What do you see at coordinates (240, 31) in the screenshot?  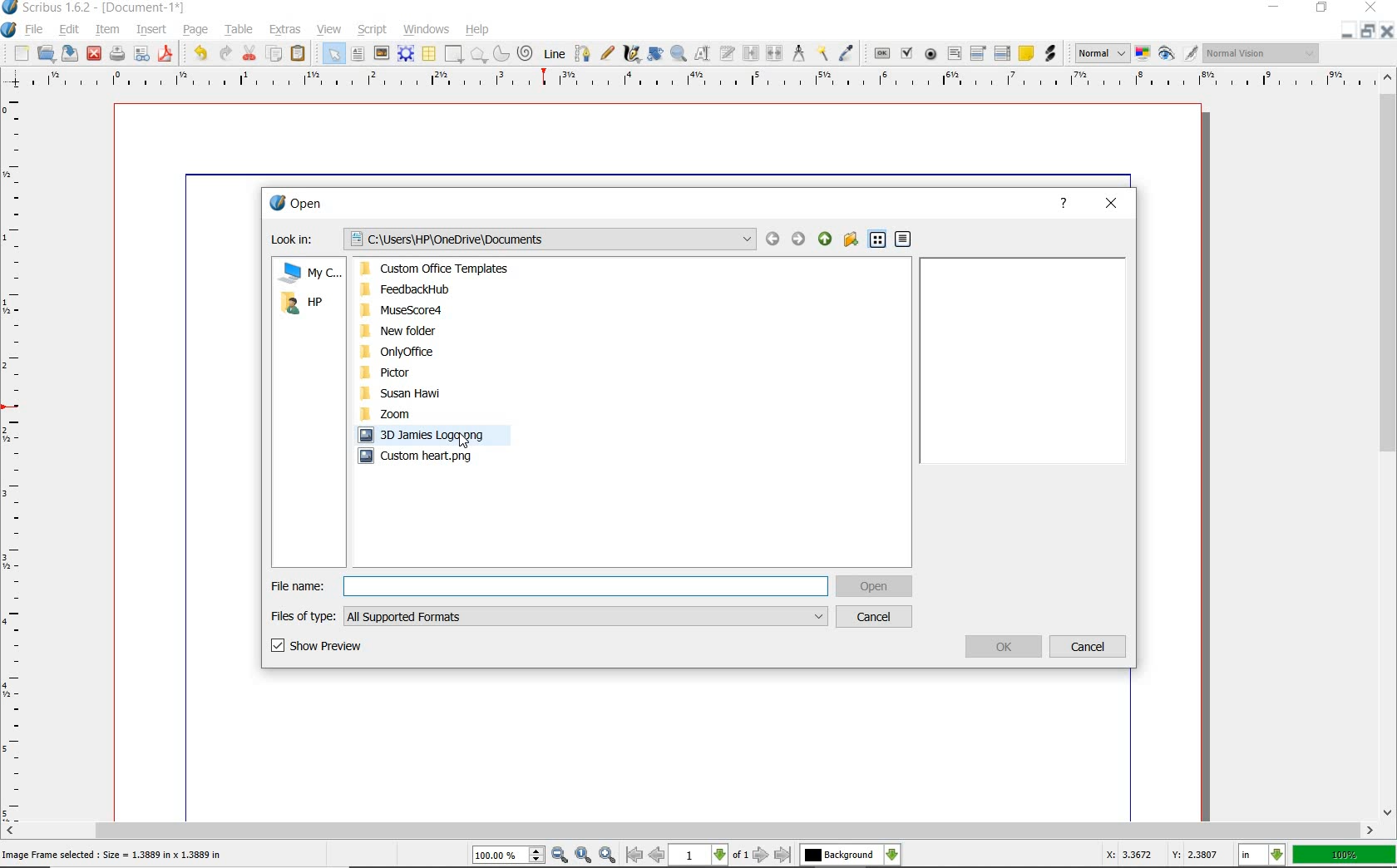 I see `table` at bounding box center [240, 31].